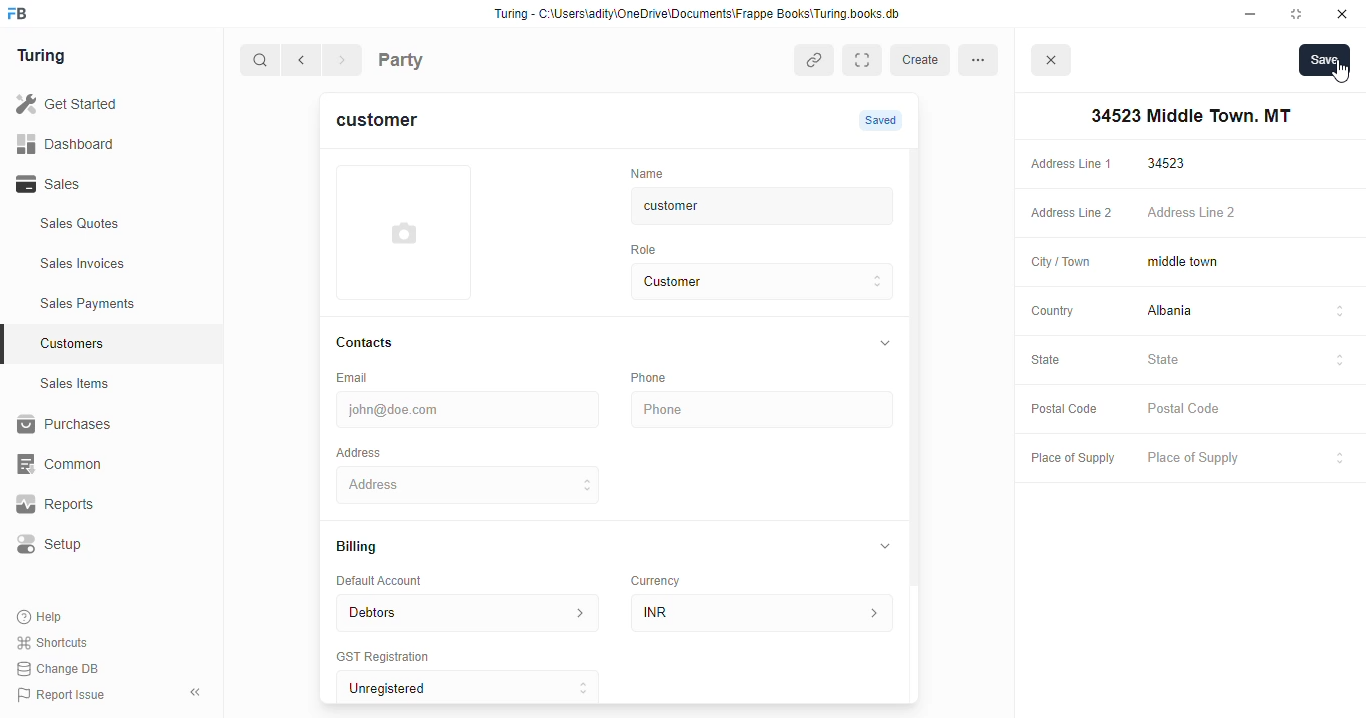  What do you see at coordinates (384, 343) in the screenshot?
I see `Contacts` at bounding box center [384, 343].